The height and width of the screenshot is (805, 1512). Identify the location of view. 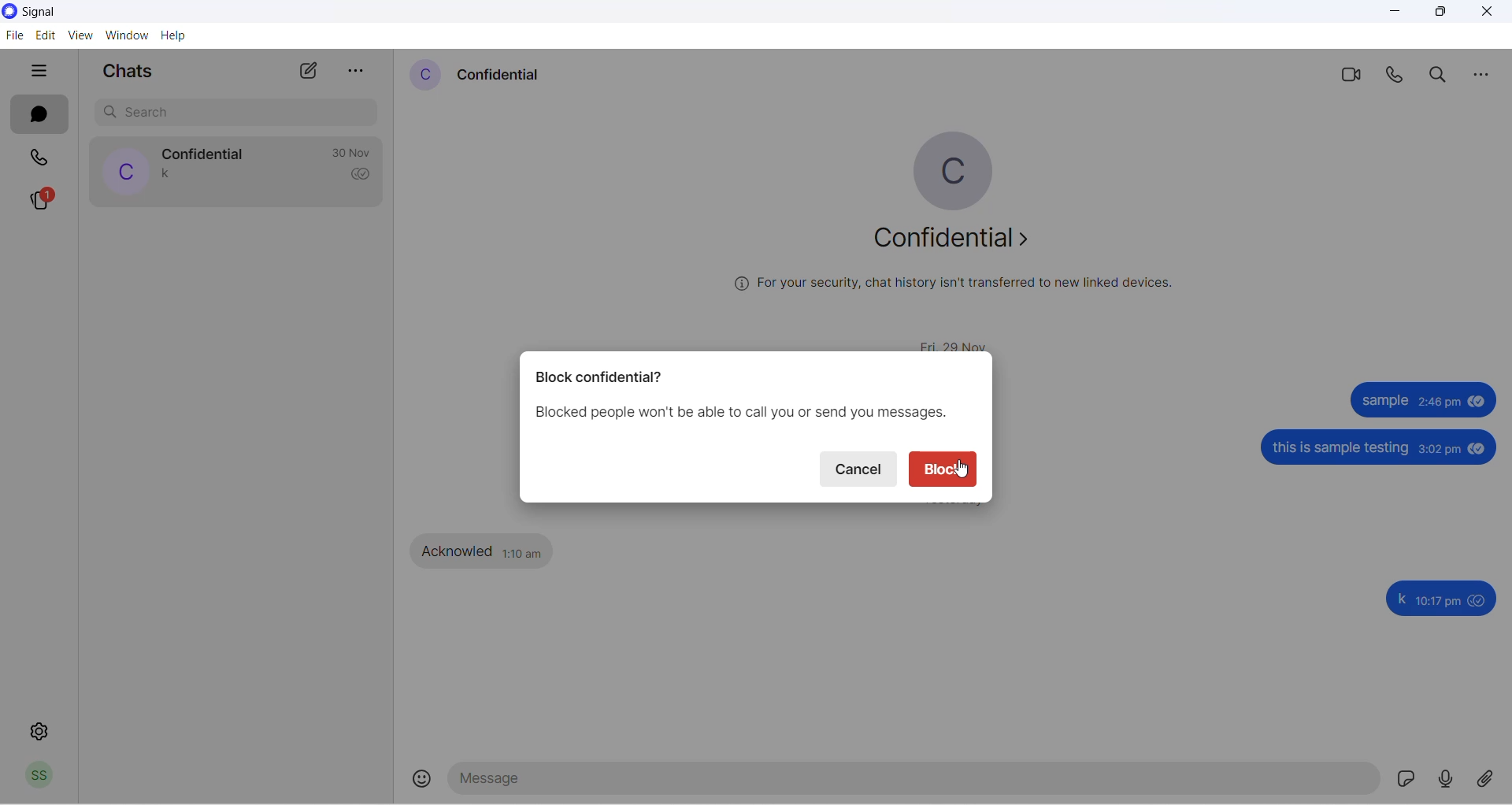
(77, 35).